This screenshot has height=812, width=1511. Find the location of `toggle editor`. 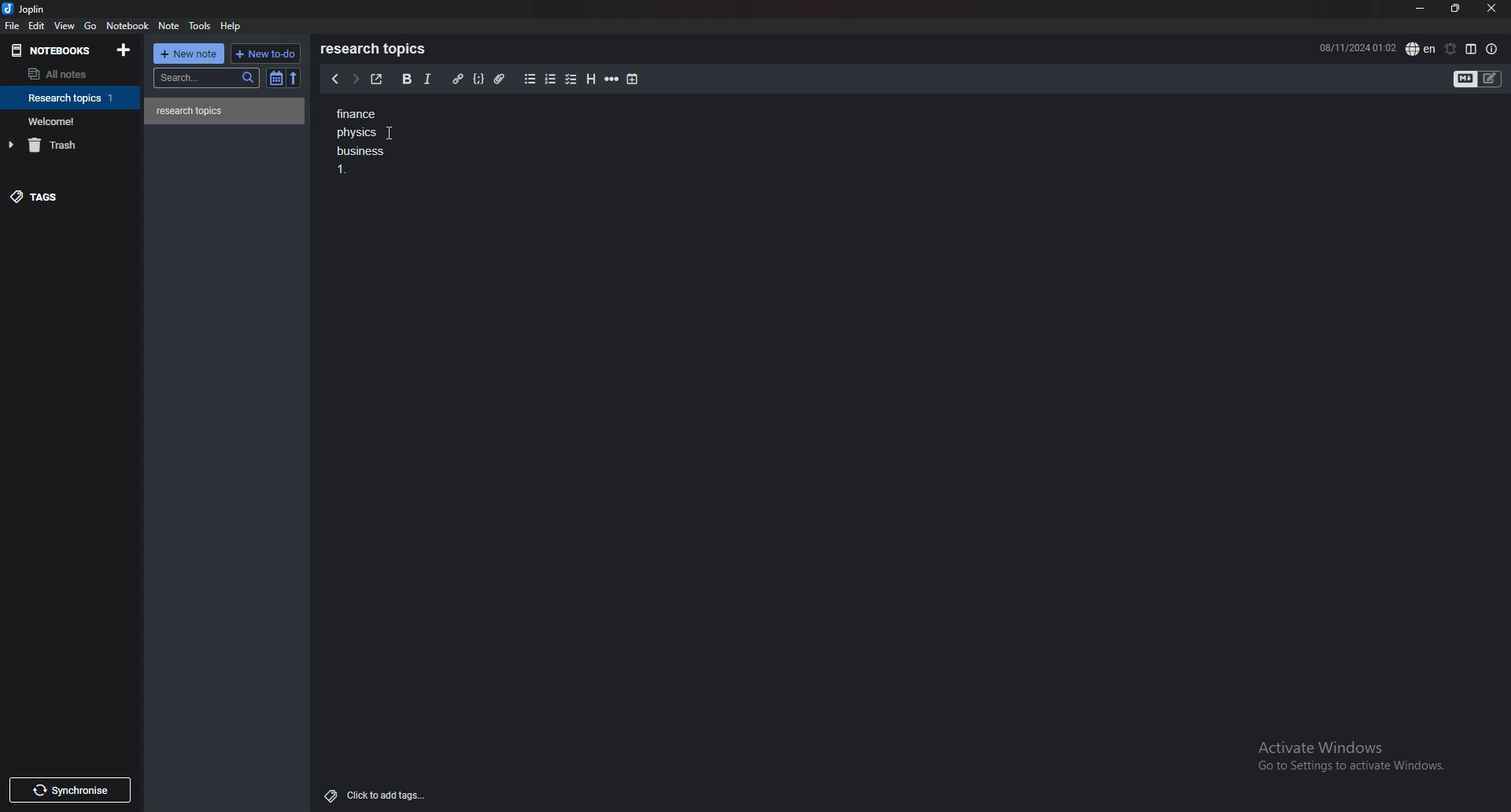

toggle editor is located at coordinates (1479, 79).